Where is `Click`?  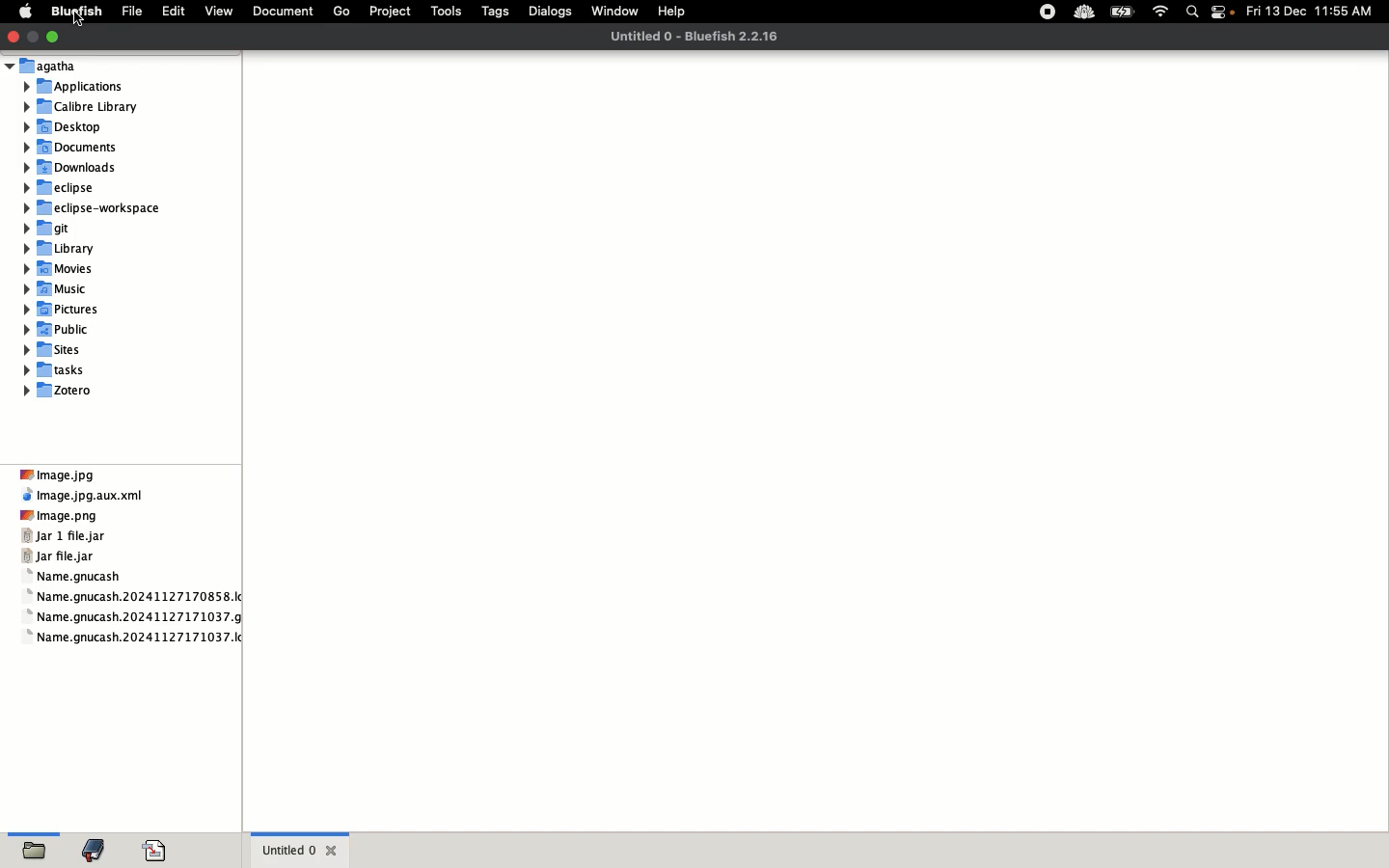 Click is located at coordinates (78, 24).